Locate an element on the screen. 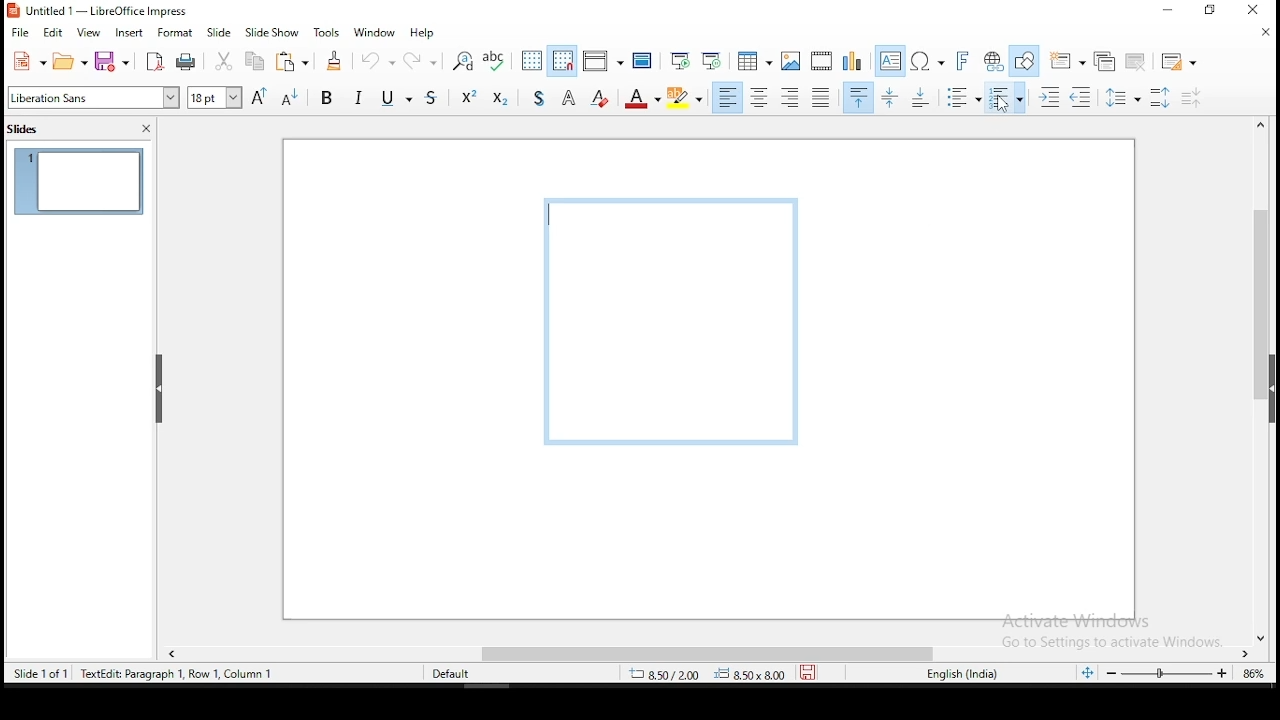 The height and width of the screenshot is (720, 1280). textedit: paragraph 1, row 1, column 1 is located at coordinates (181, 674).